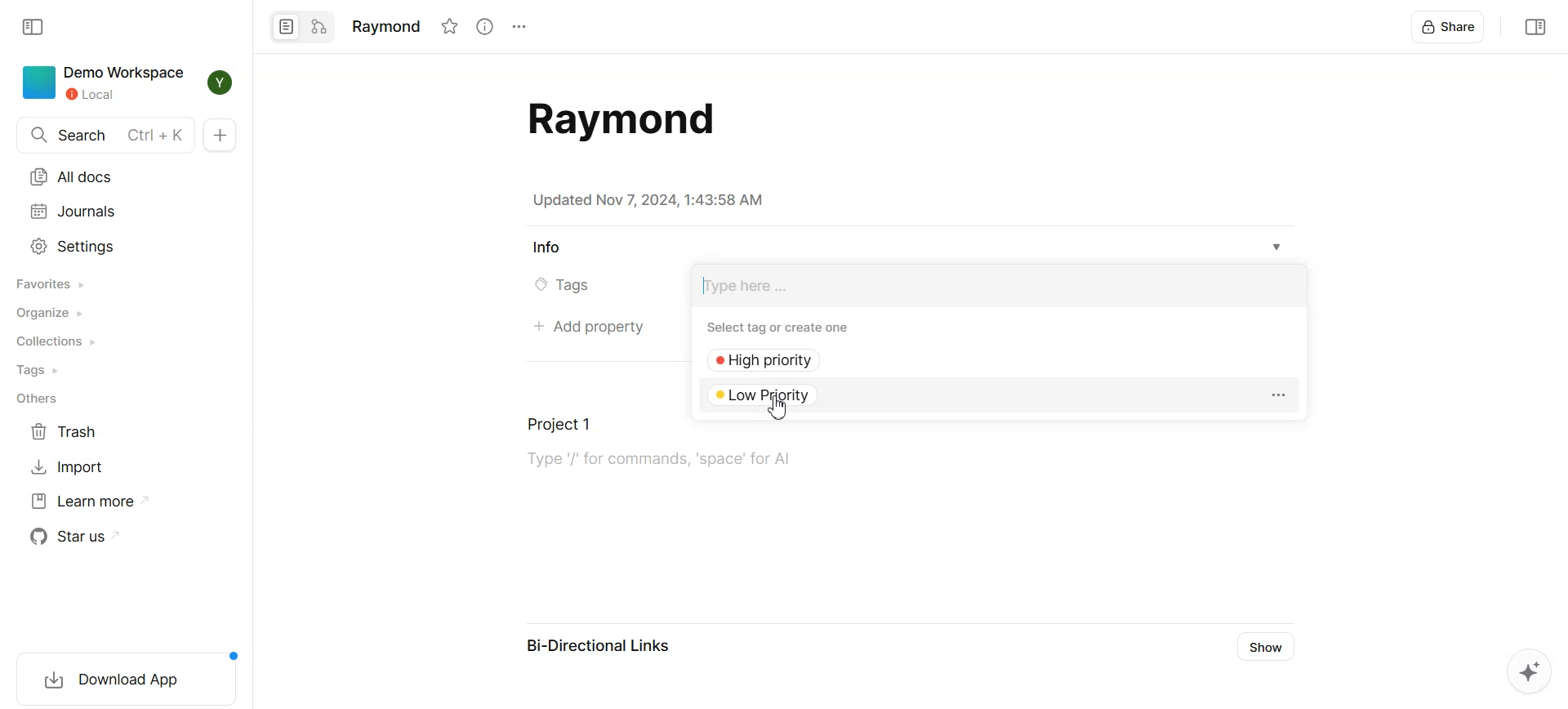 This screenshot has height=709, width=1568. What do you see at coordinates (546, 248) in the screenshot?
I see `Info` at bounding box center [546, 248].